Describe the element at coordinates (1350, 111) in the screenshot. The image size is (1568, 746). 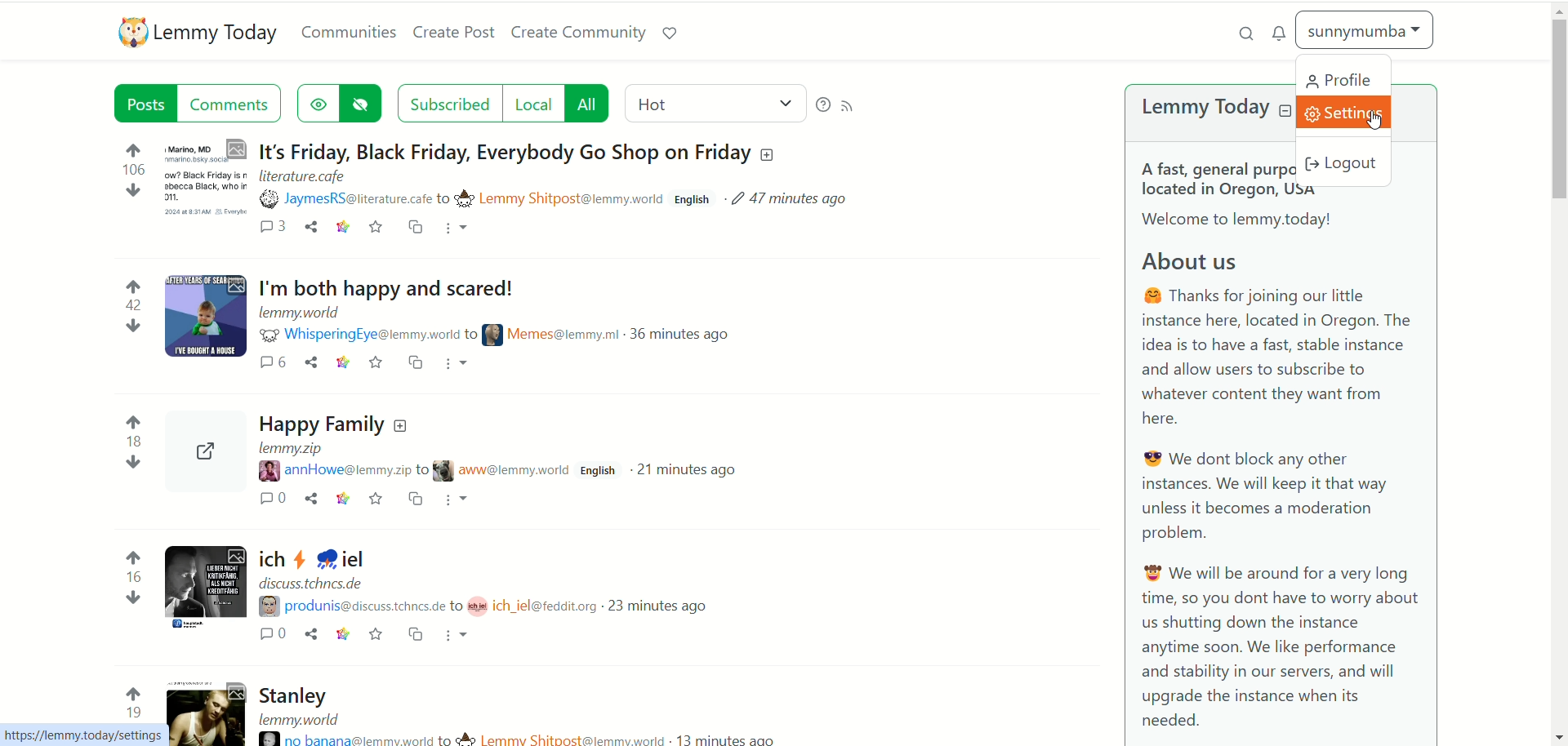
I see `settings` at that location.